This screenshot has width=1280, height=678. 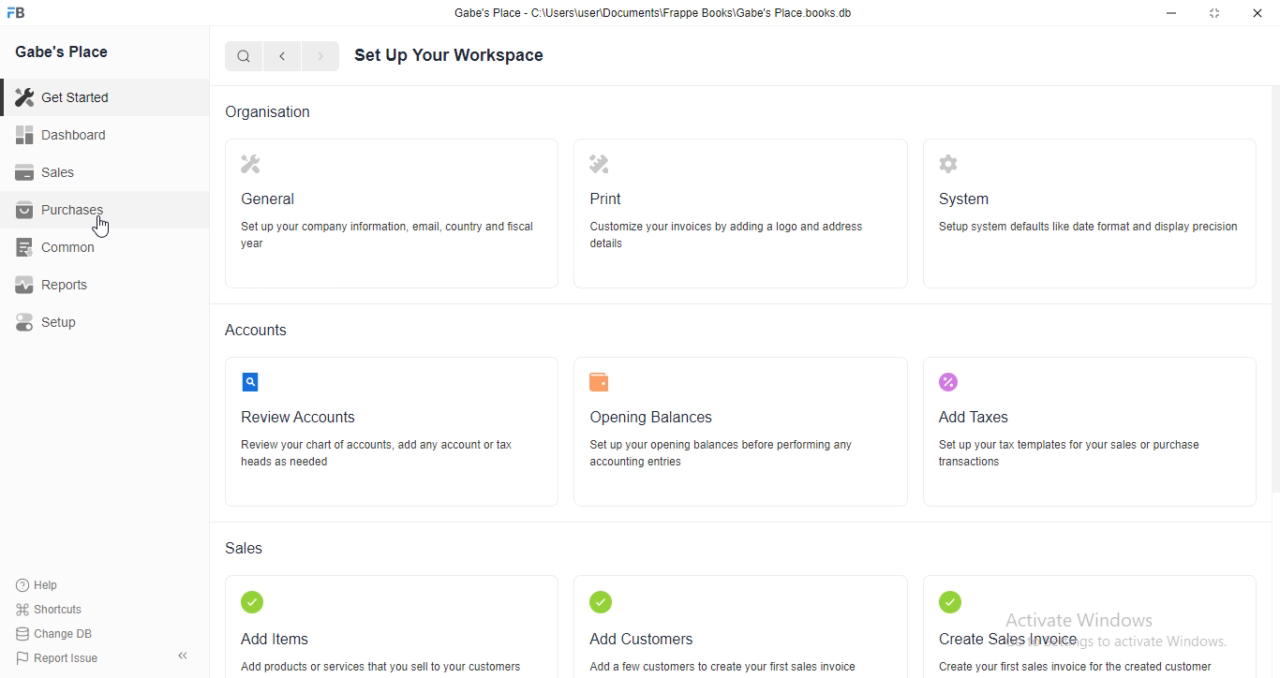 I want to click on minimize, so click(x=1166, y=12).